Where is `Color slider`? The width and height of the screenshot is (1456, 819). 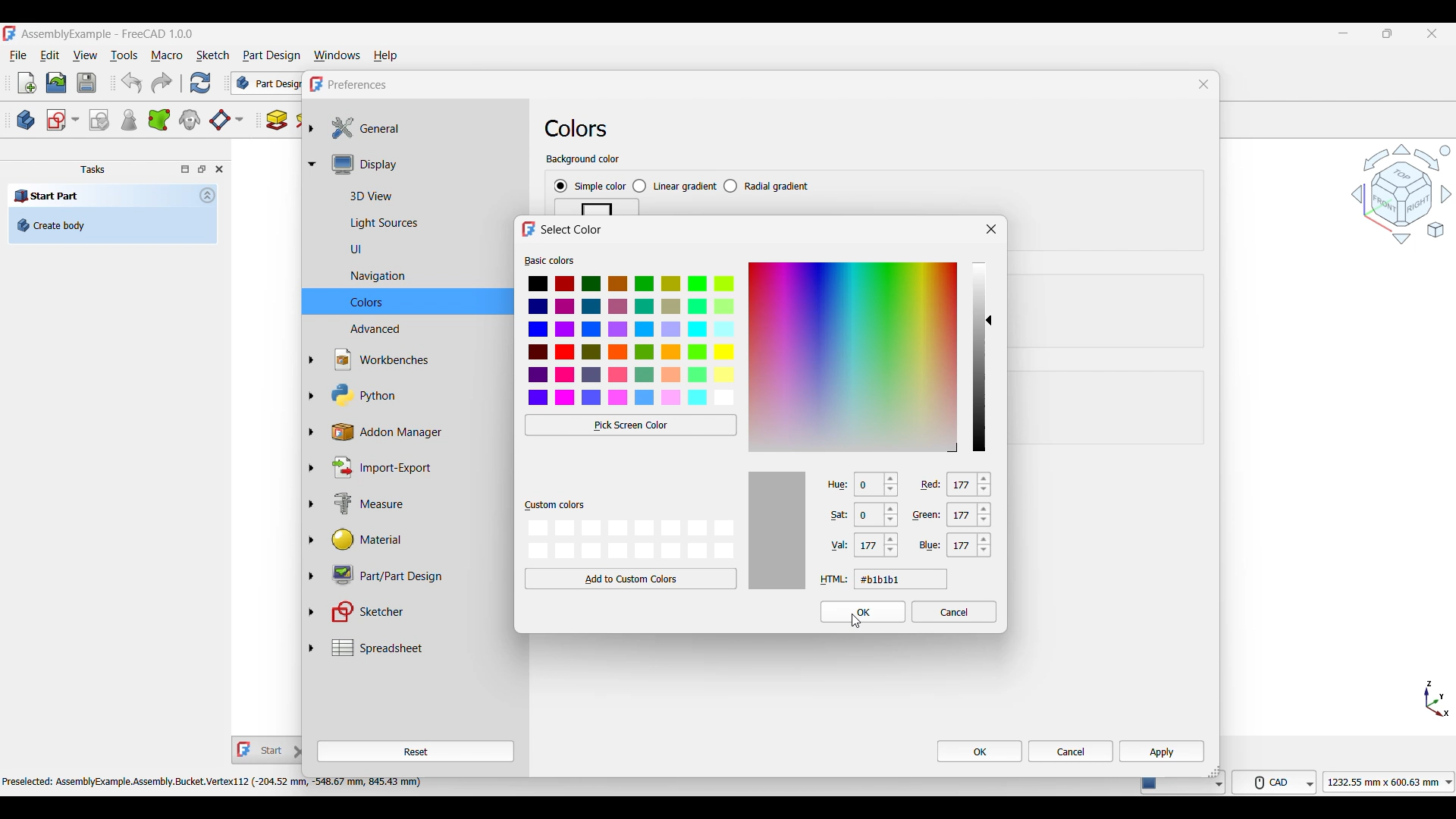 Color slider is located at coordinates (978, 356).